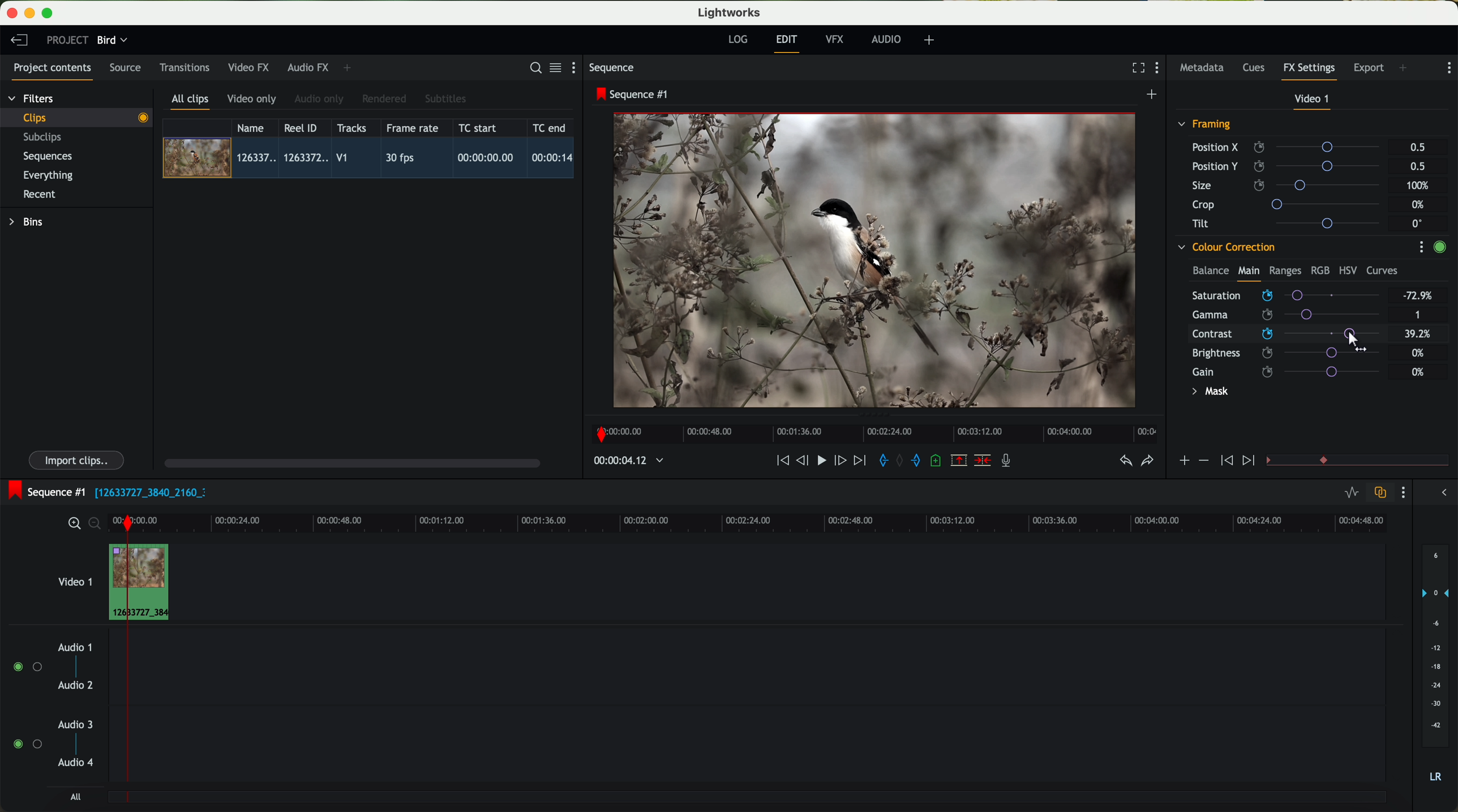 This screenshot has height=812, width=1458. What do you see at coordinates (1225, 247) in the screenshot?
I see `colour correction` at bounding box center [1225, 247].